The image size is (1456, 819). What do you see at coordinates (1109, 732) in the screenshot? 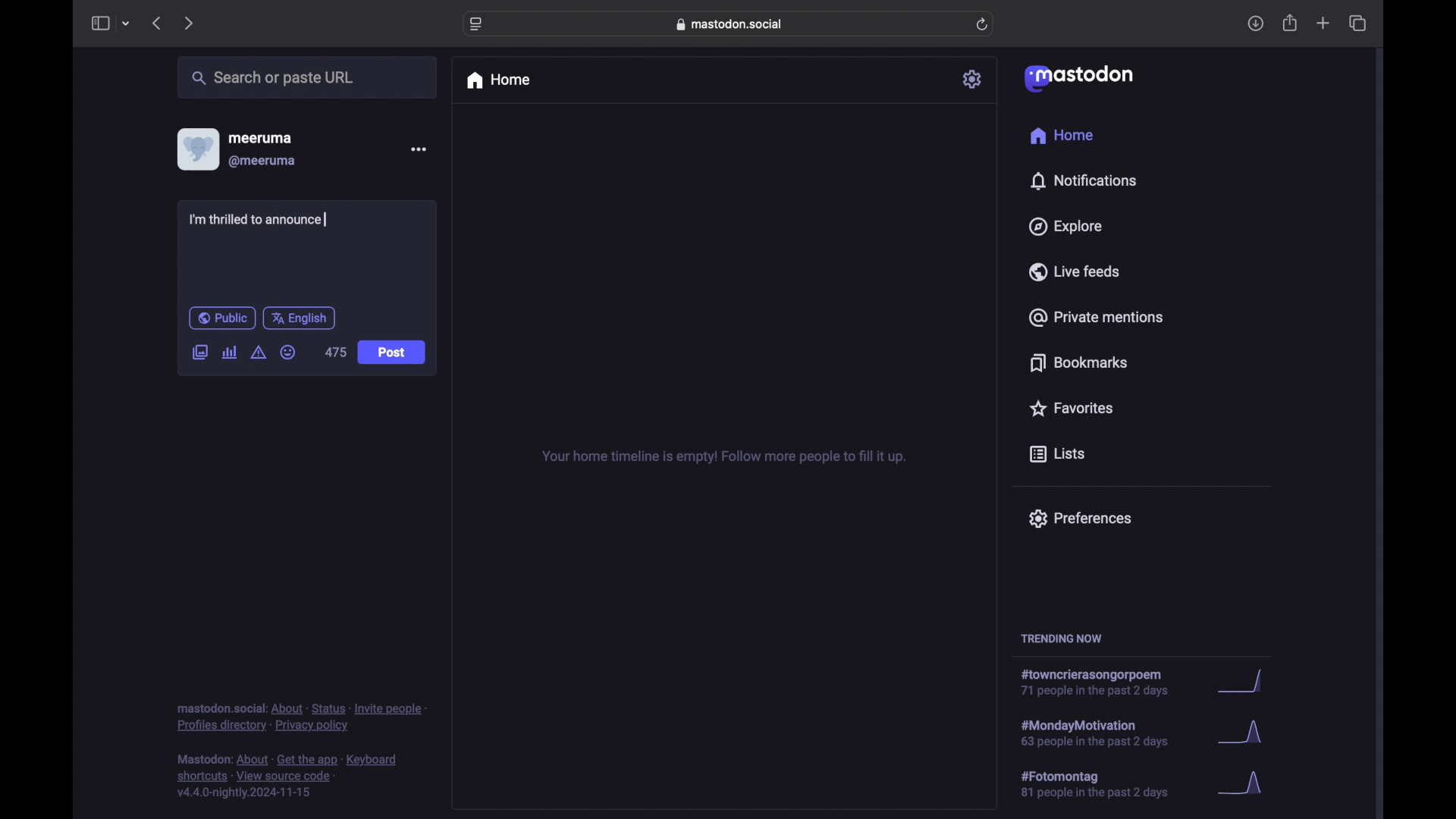
I see `hashtag  trend` at bounding box center [1109, 732].